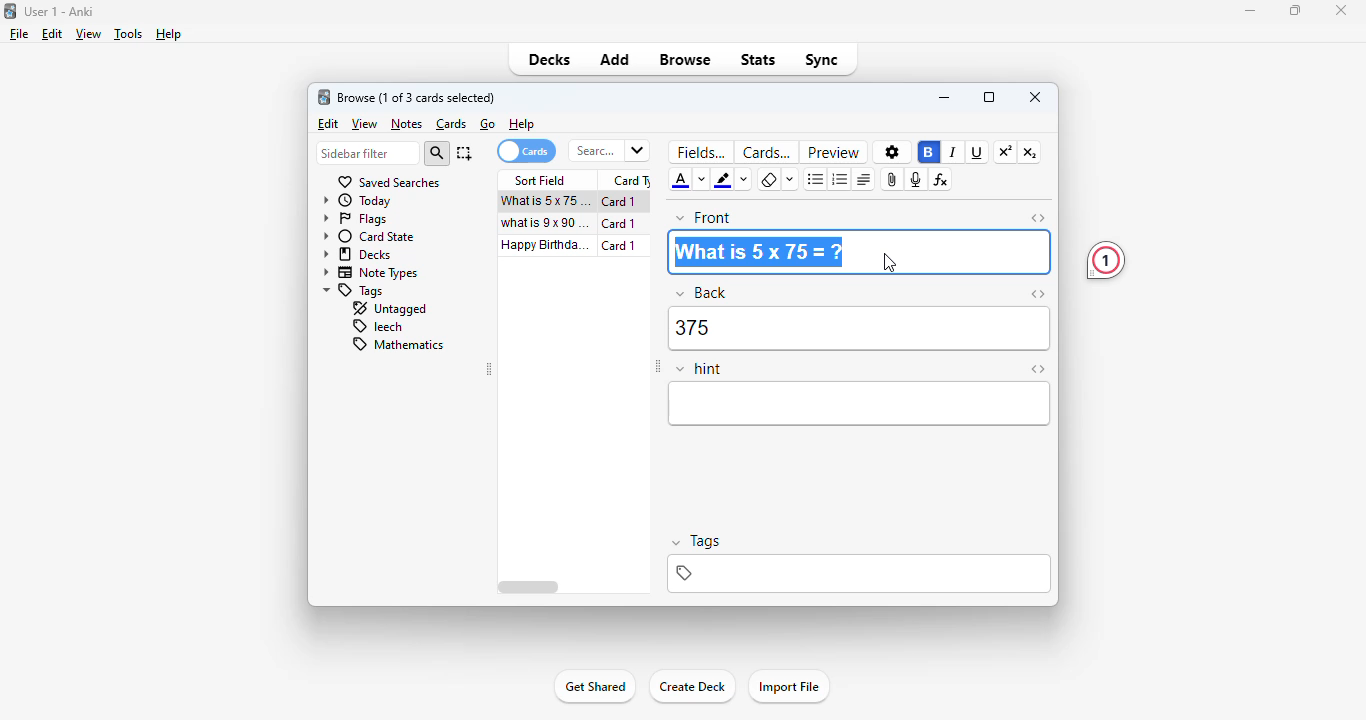 This screenshot has height=720, width=1366. I want to click on toggle HTML editor, so click(1038, 369).